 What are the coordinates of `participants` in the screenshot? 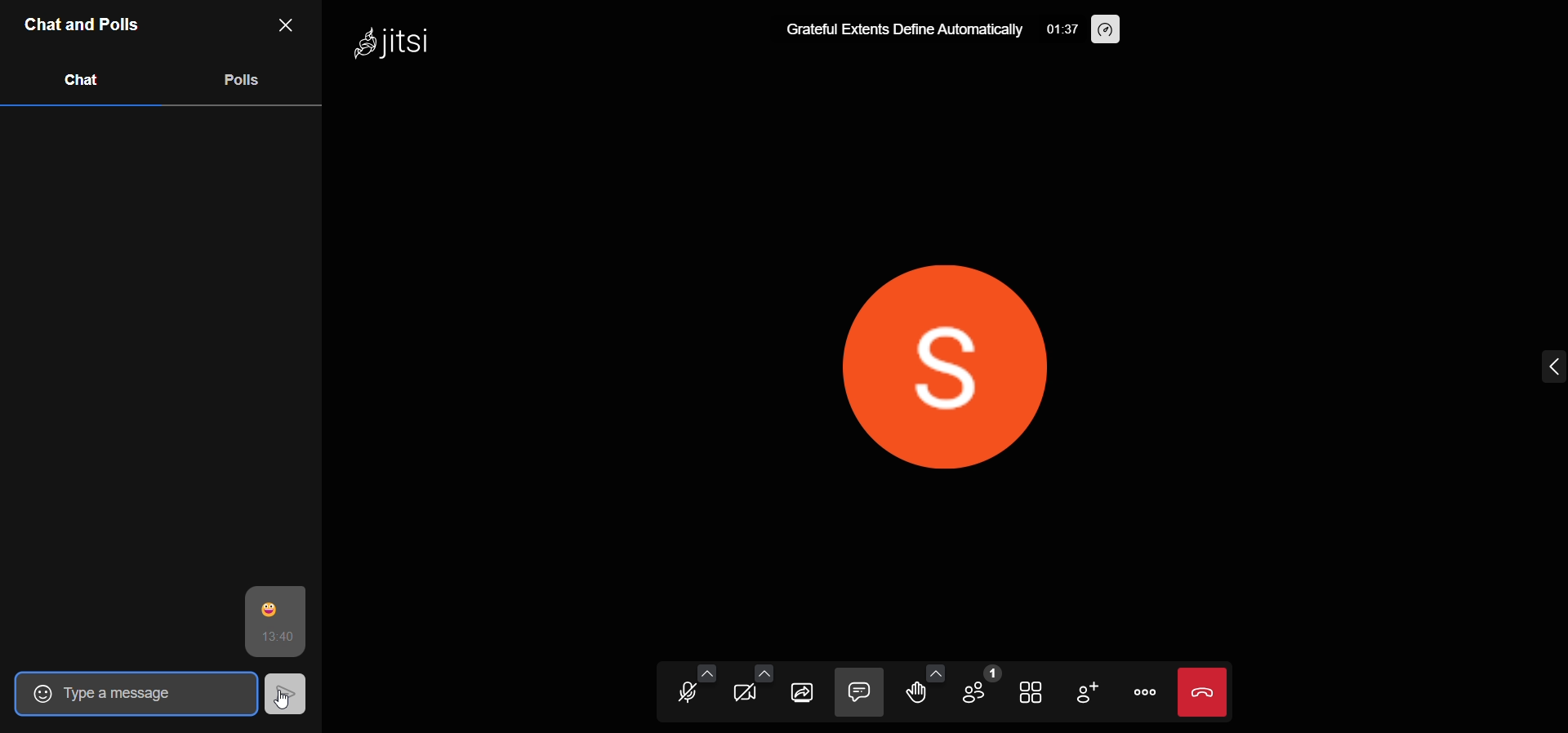 It's located at (981, 689).